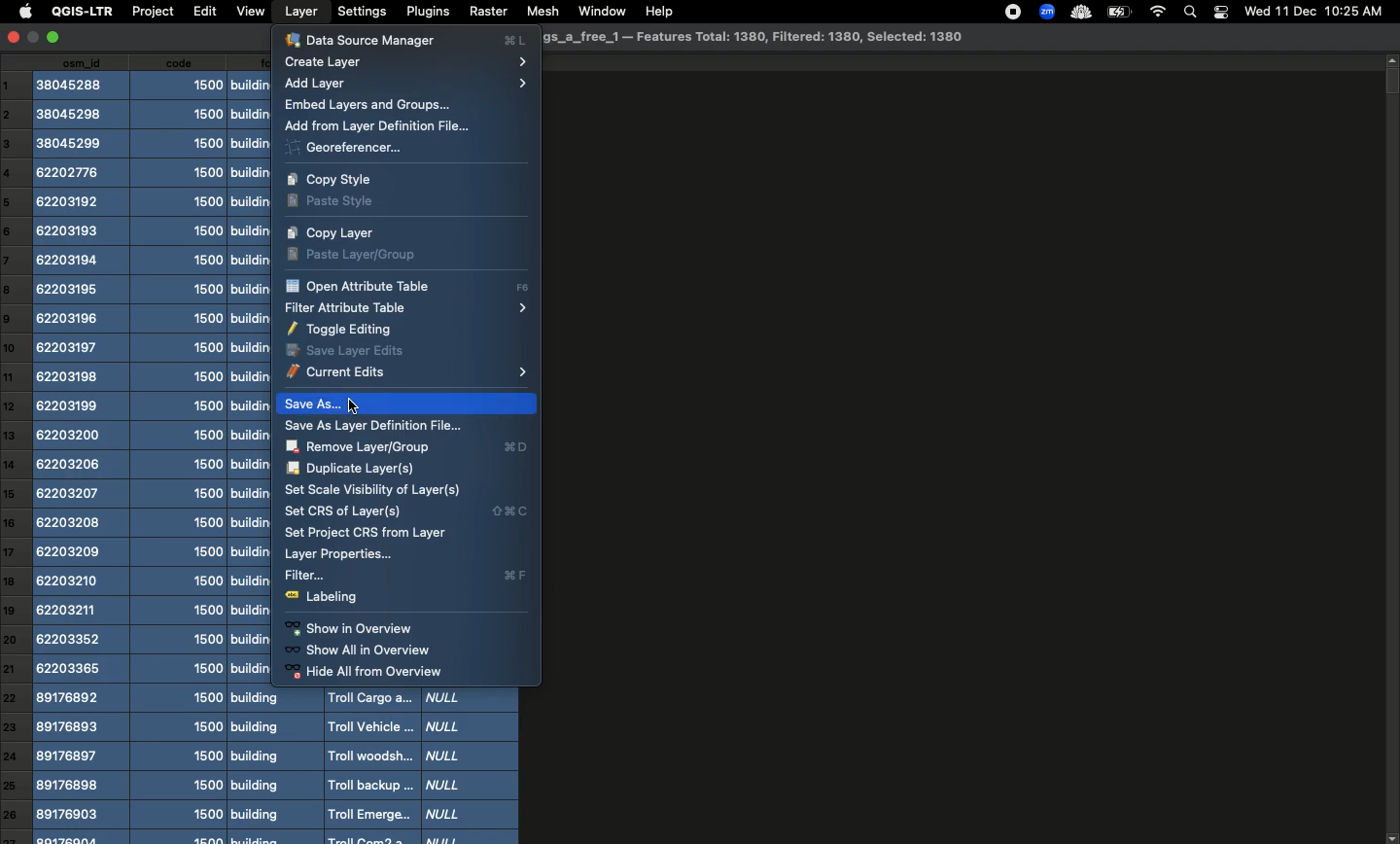 The height and width of the screenshot is (844, 1400). What do you see at coordinates (357, 405) in the screenshot?
I see `cursor` at bounding box center [357, 405].